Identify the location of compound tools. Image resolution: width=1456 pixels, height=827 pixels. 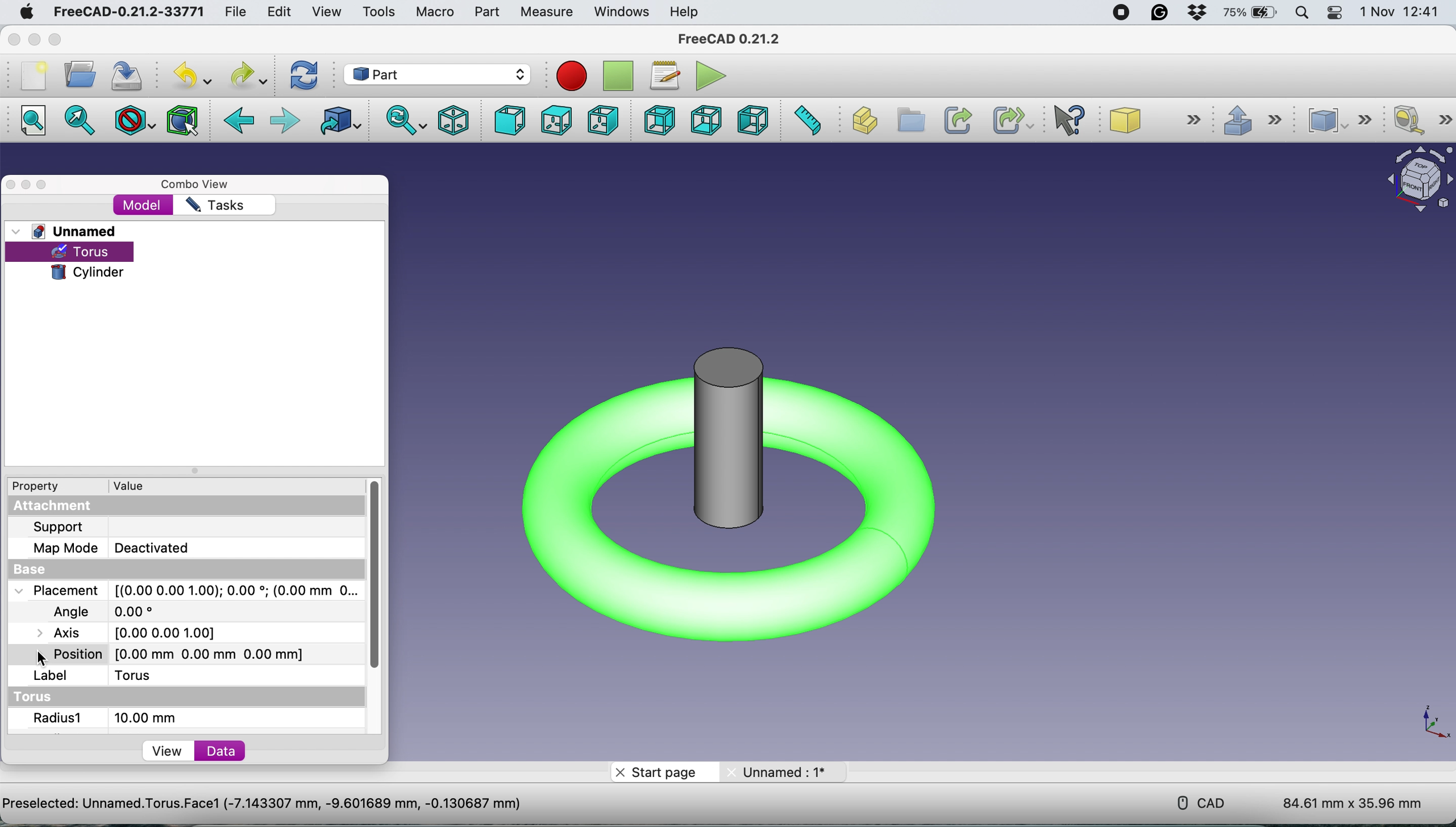
(1347, 120).